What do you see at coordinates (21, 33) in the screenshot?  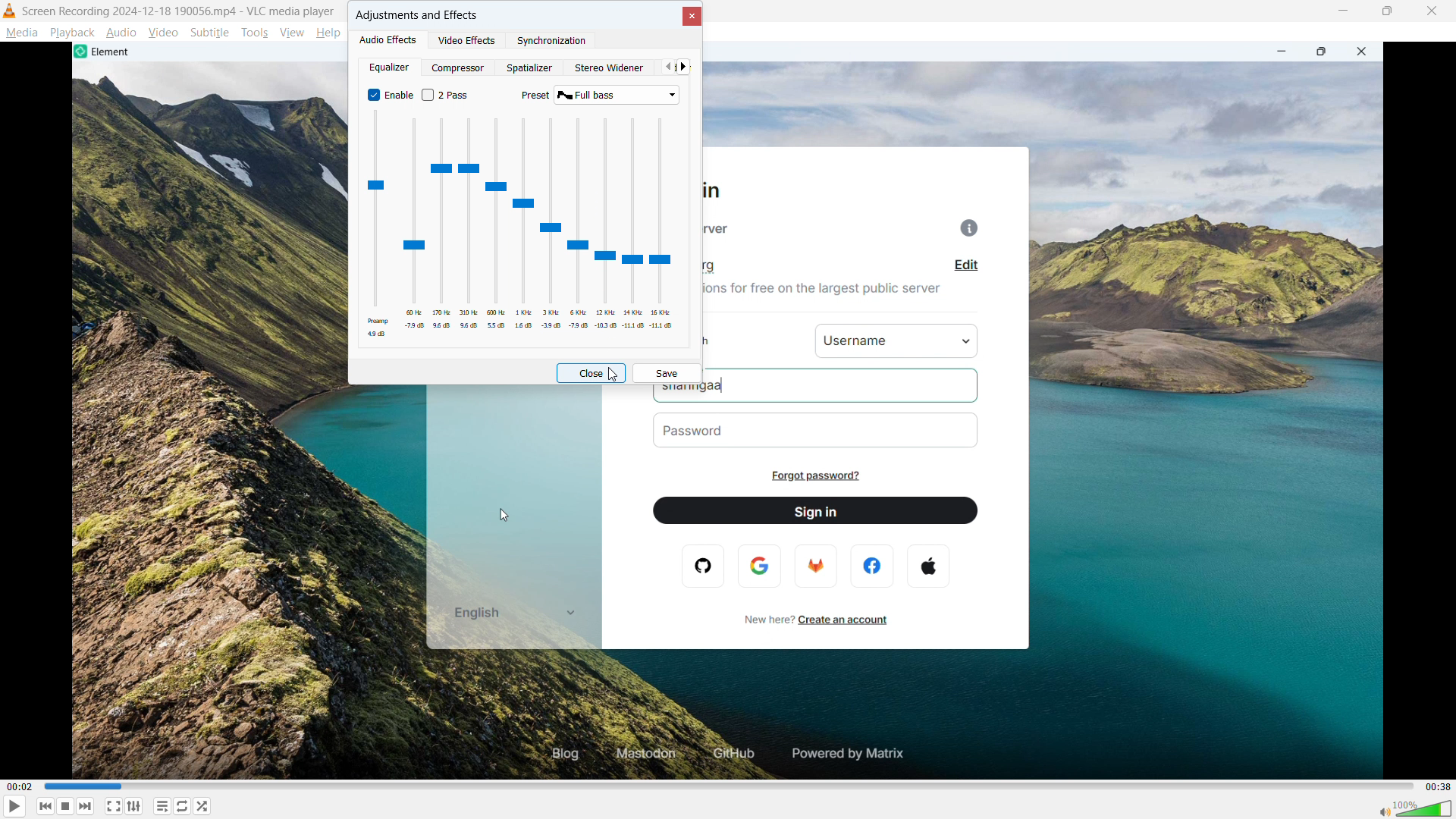 I see `Media ` at bounding box center [21, 33].